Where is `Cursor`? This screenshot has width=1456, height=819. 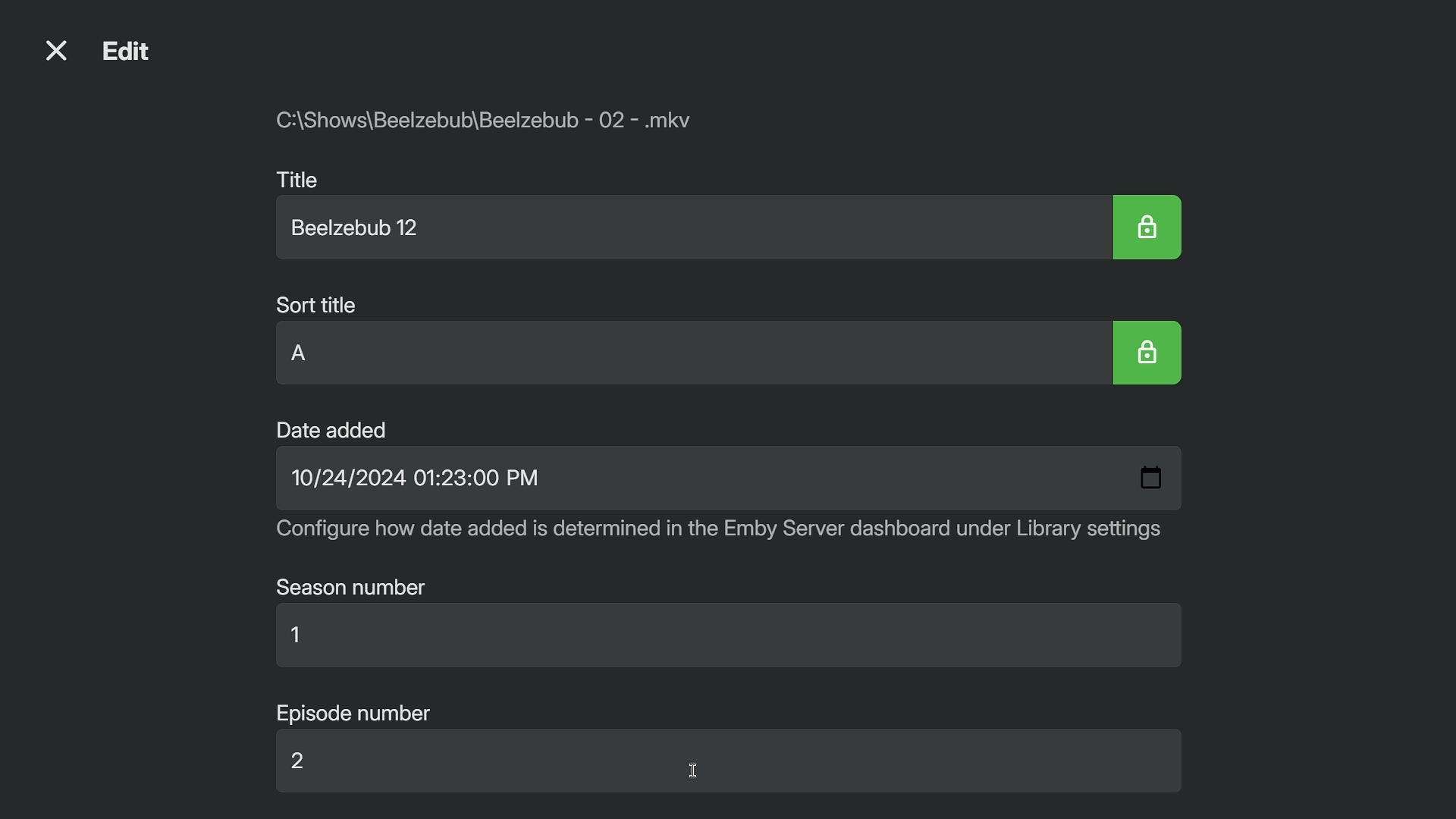
Cursor is located at coordinates (695, 772).